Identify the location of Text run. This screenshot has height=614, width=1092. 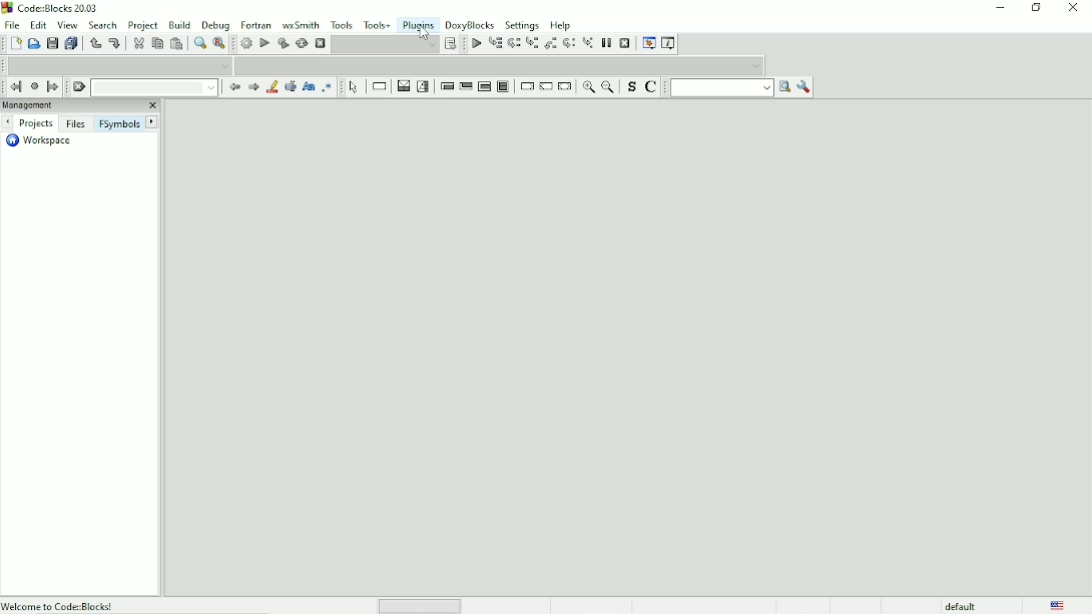
(721, 88).